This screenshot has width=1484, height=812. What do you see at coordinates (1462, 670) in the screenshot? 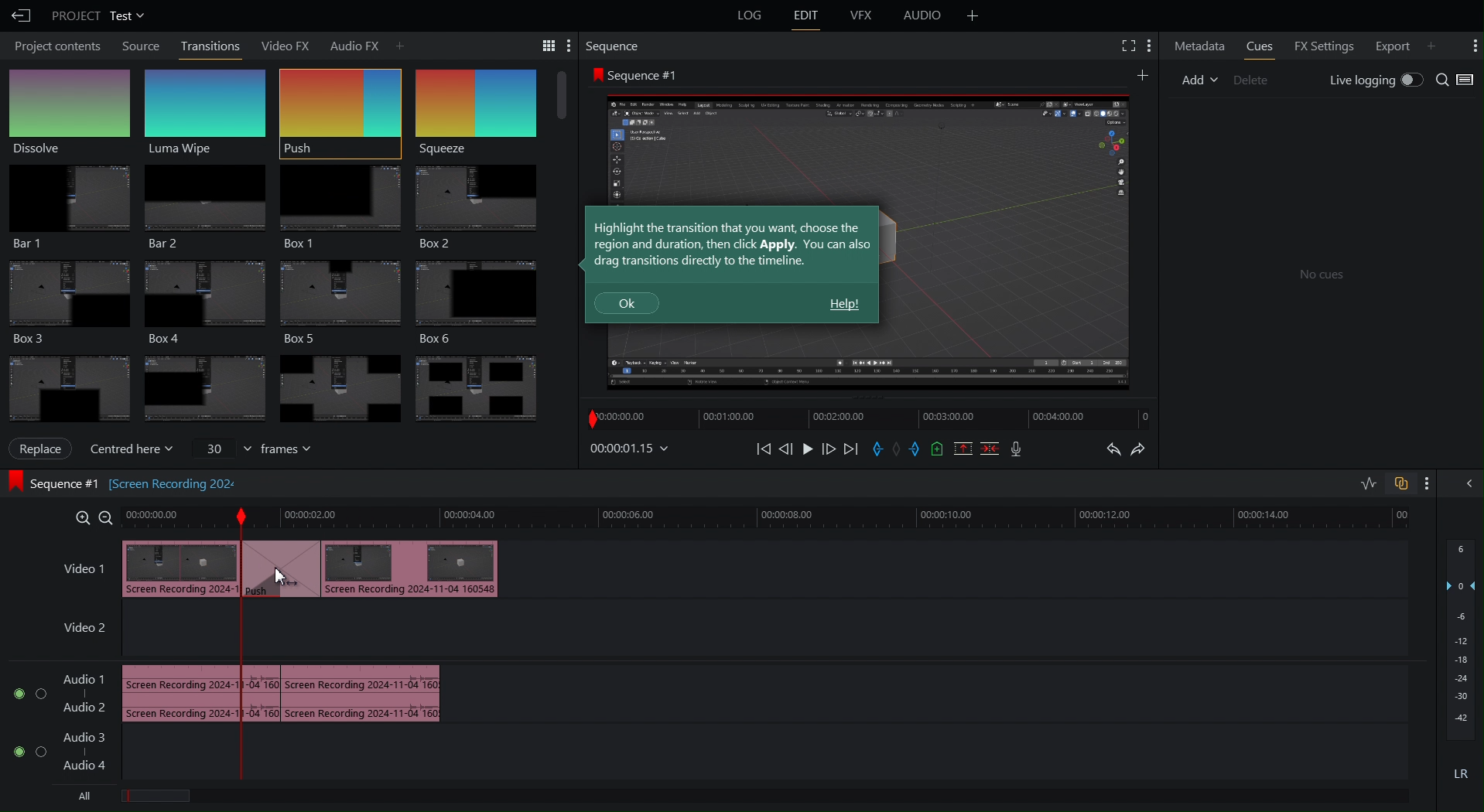
I see `Audio Levels` at bounding box center [1462, 670].